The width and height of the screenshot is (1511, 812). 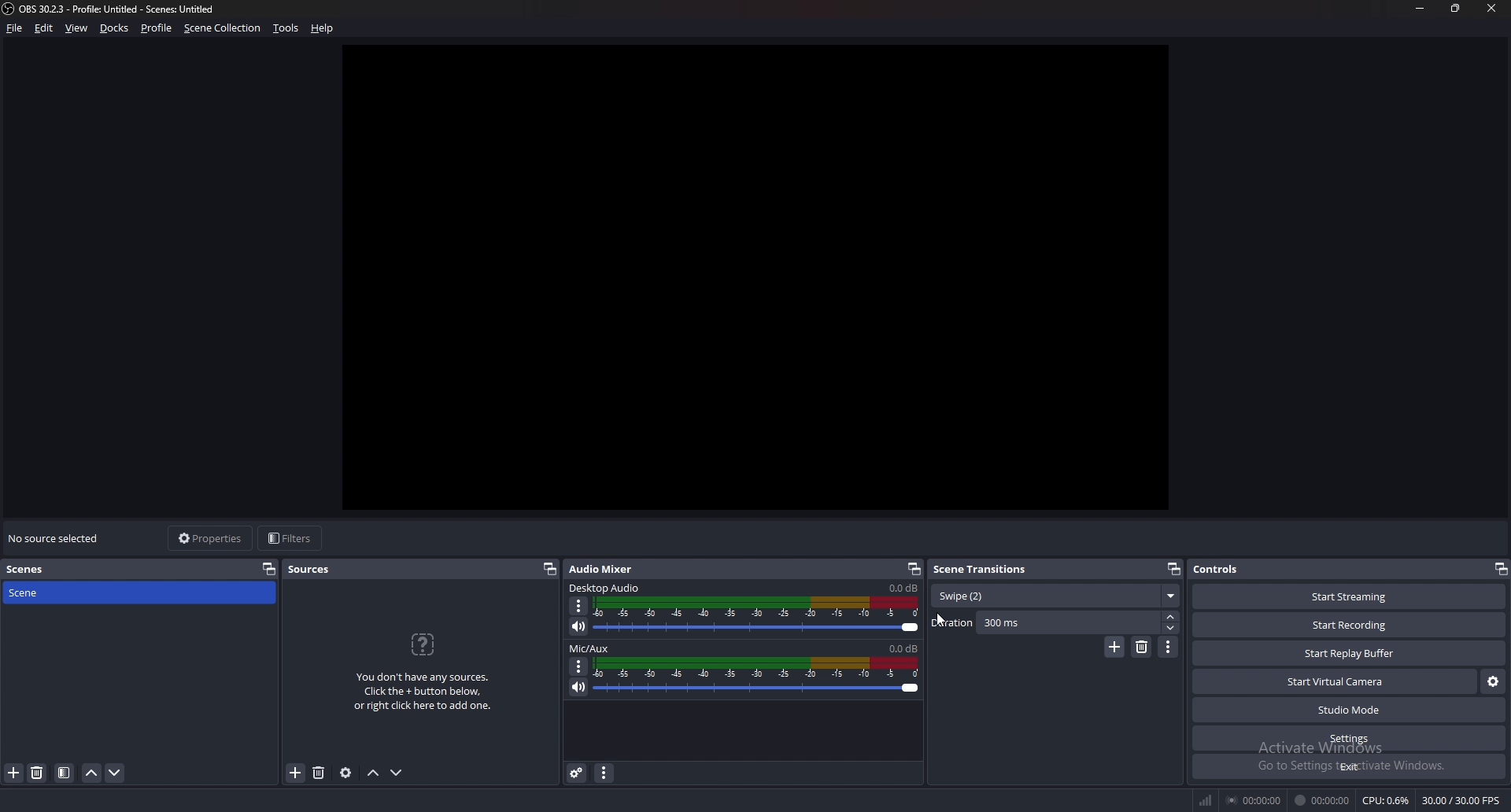 What do you see at coordinates (1056, 595) in the screenshot?
I see `transition` at bounding box center [1056, 595].